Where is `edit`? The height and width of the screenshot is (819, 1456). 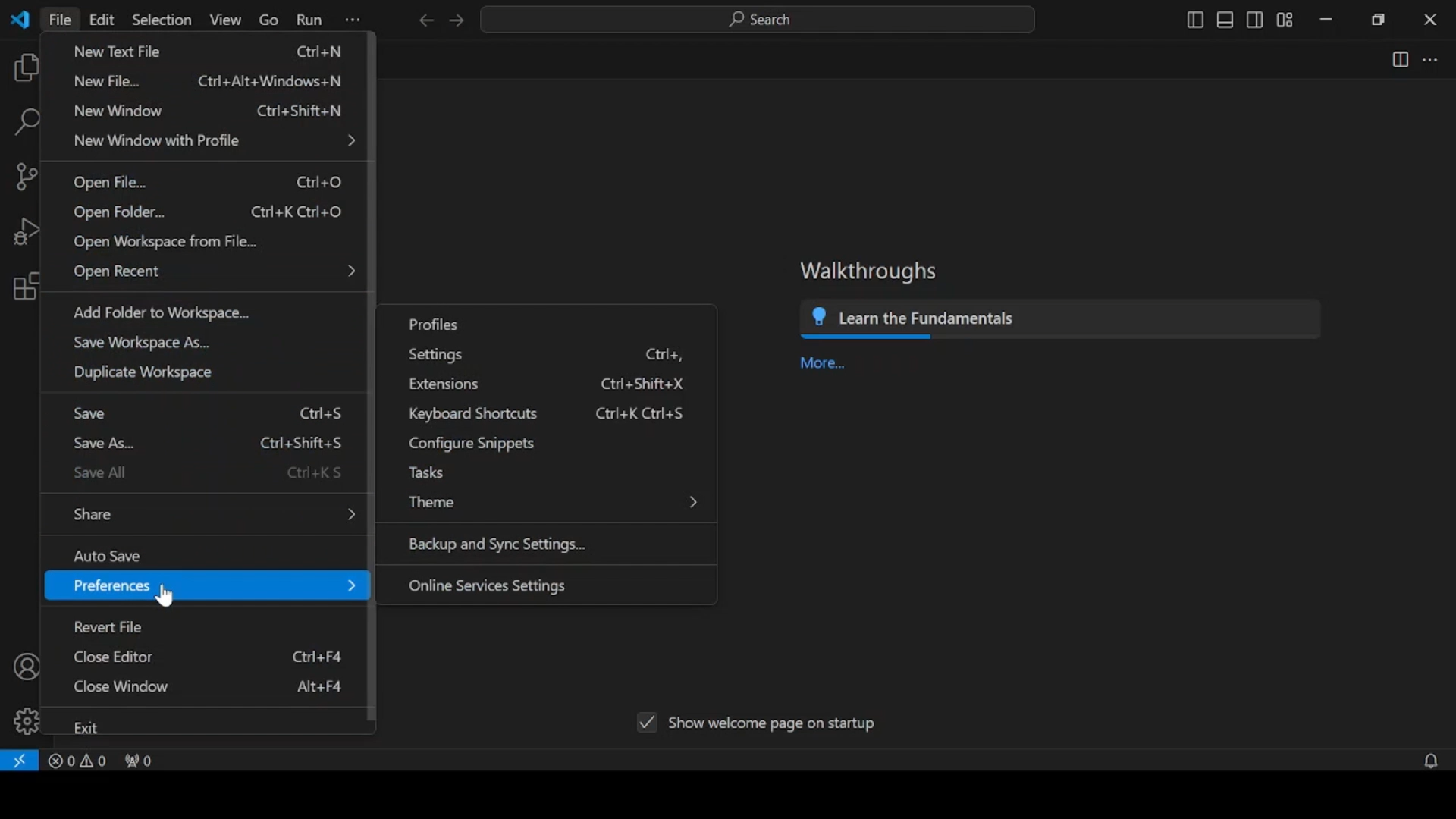
edit is located at coordinates (101, 19).